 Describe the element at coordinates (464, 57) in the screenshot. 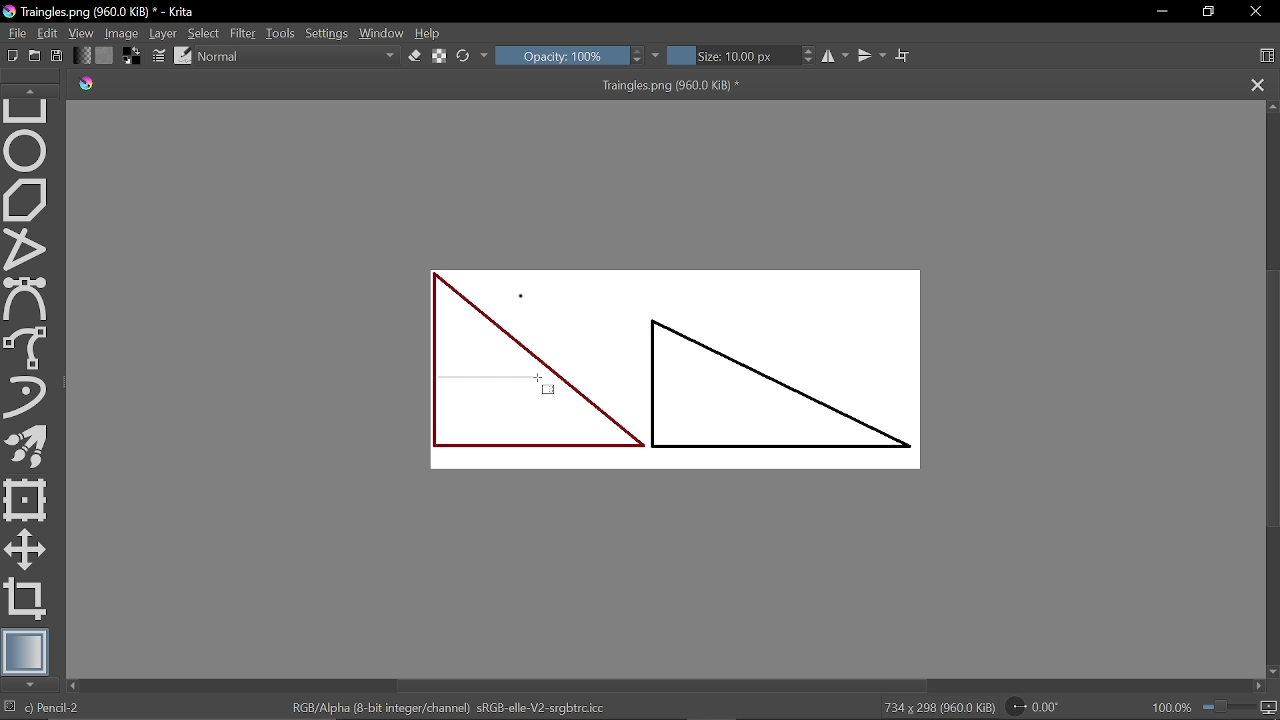

I see `Reload original preset` at that location.